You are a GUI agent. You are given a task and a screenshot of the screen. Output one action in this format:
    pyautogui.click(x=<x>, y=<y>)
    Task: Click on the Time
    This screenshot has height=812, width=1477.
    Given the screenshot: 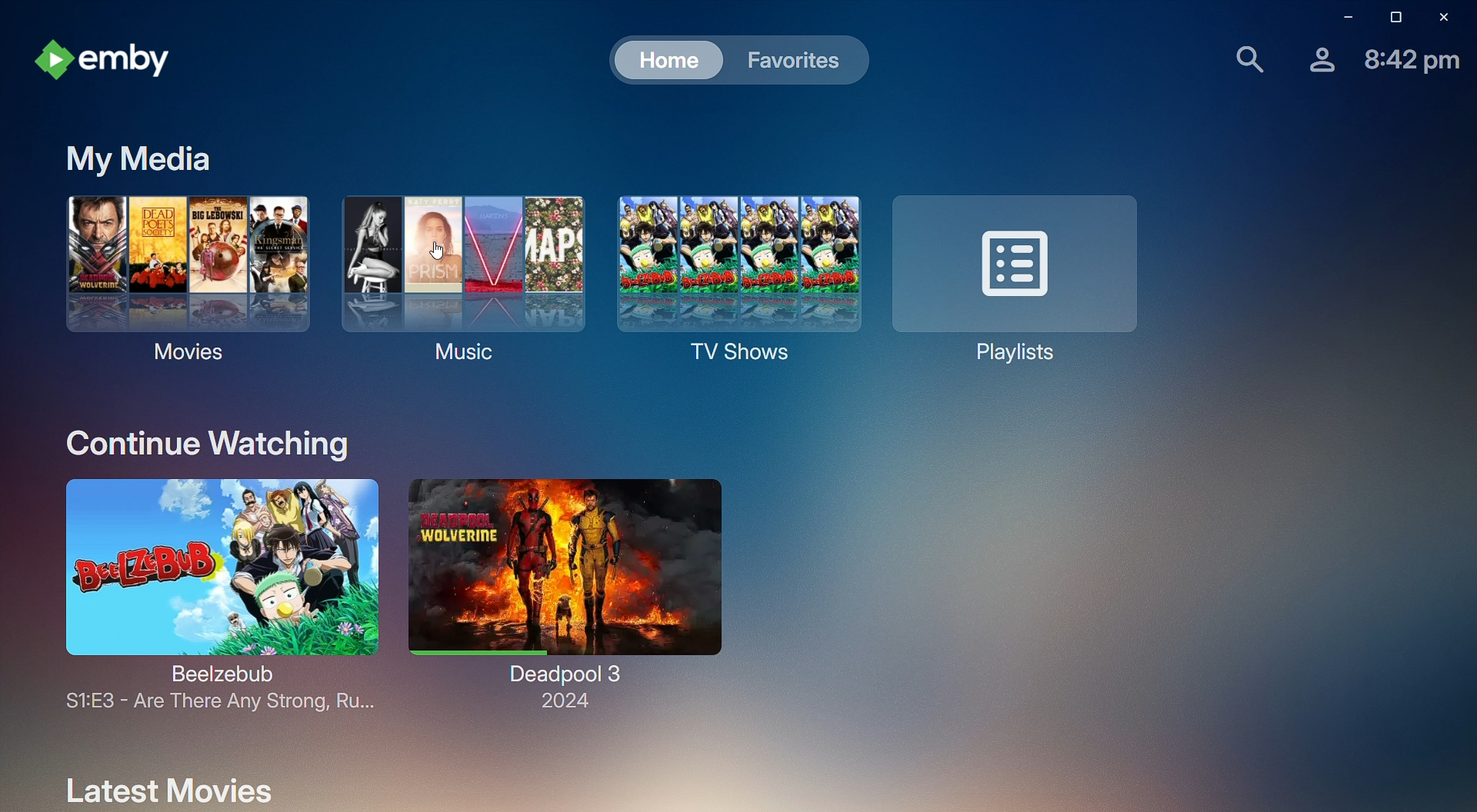 What is the action you would take?
    pyautogui.click(x=1412, y=61)
    